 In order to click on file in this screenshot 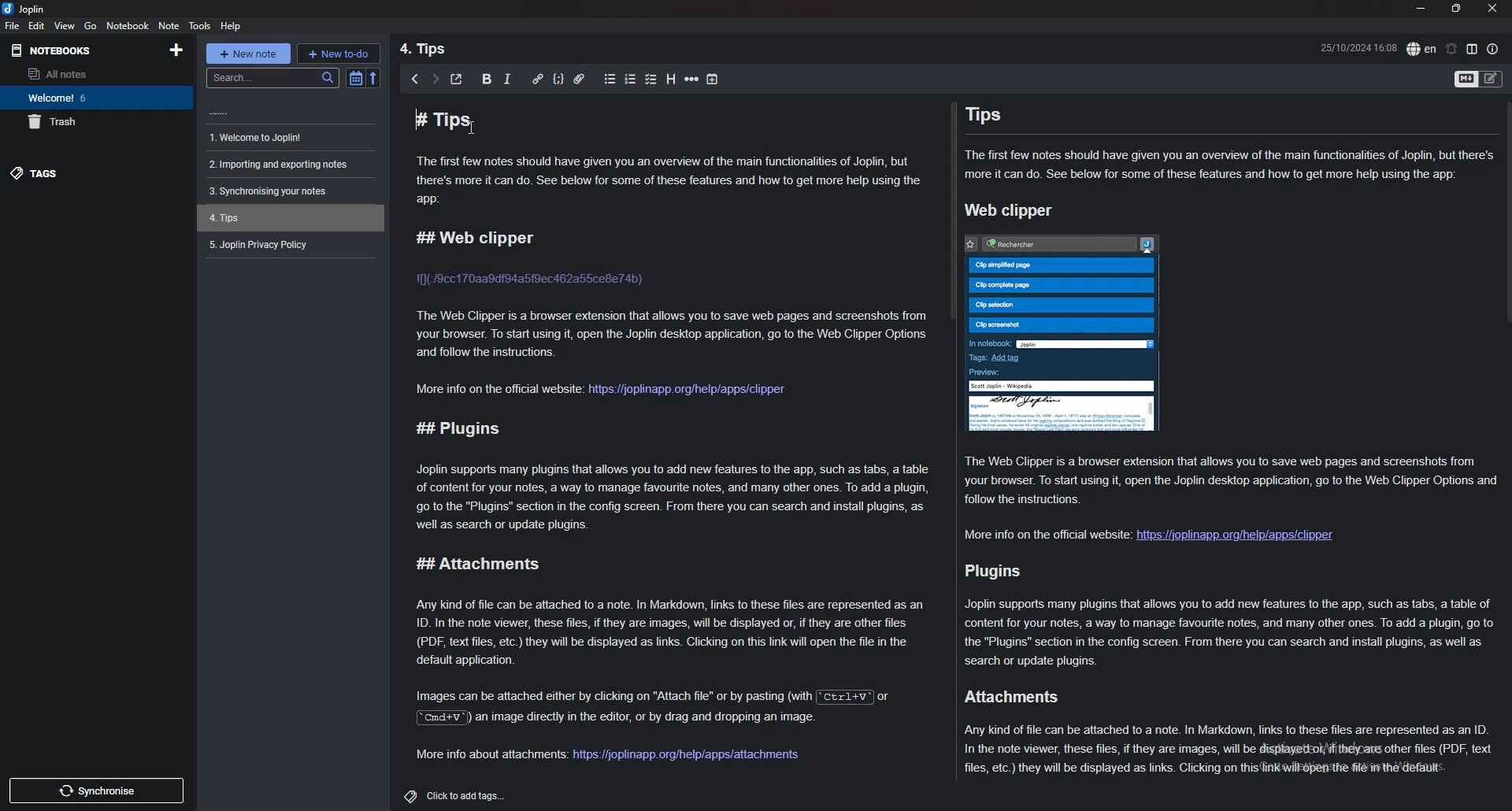, I will do `click(13, 26)`.